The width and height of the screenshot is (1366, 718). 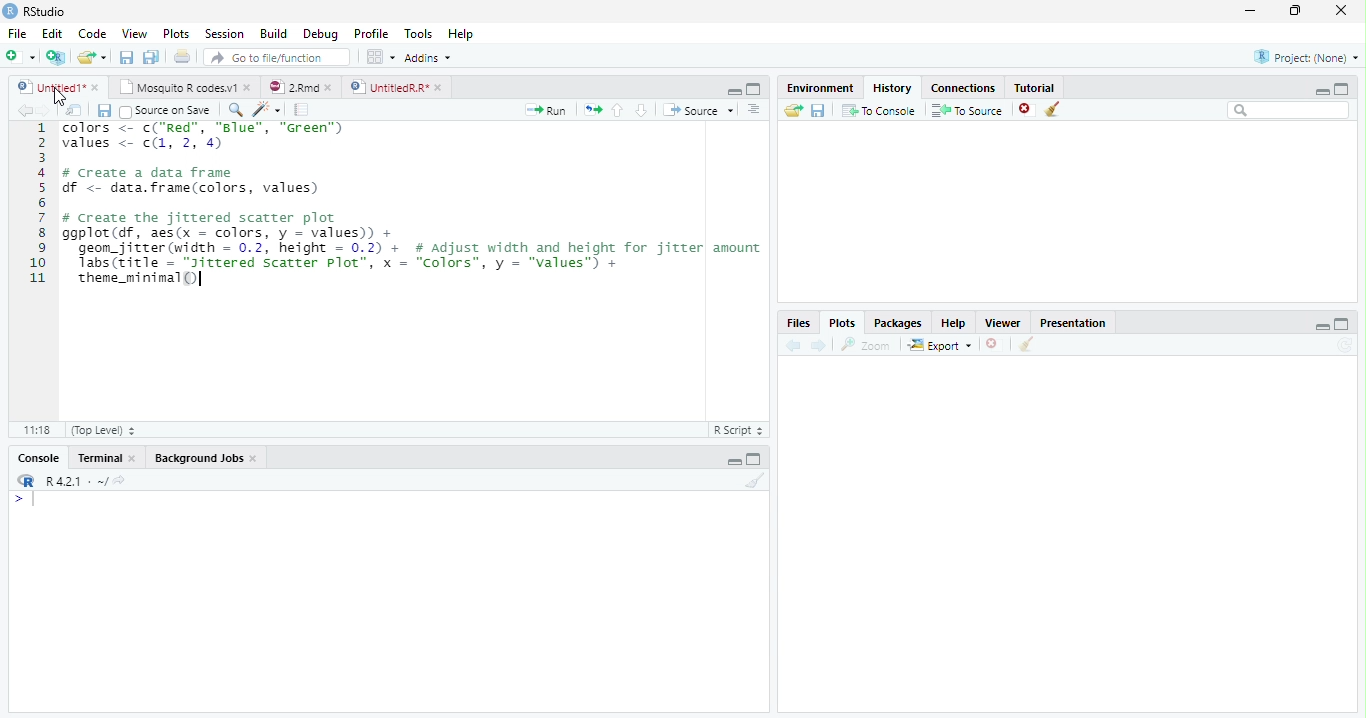 What do you see at coordinates (121, 480) in the screenshot?
I see `View the current working directory` at bounding box center [121, 480].